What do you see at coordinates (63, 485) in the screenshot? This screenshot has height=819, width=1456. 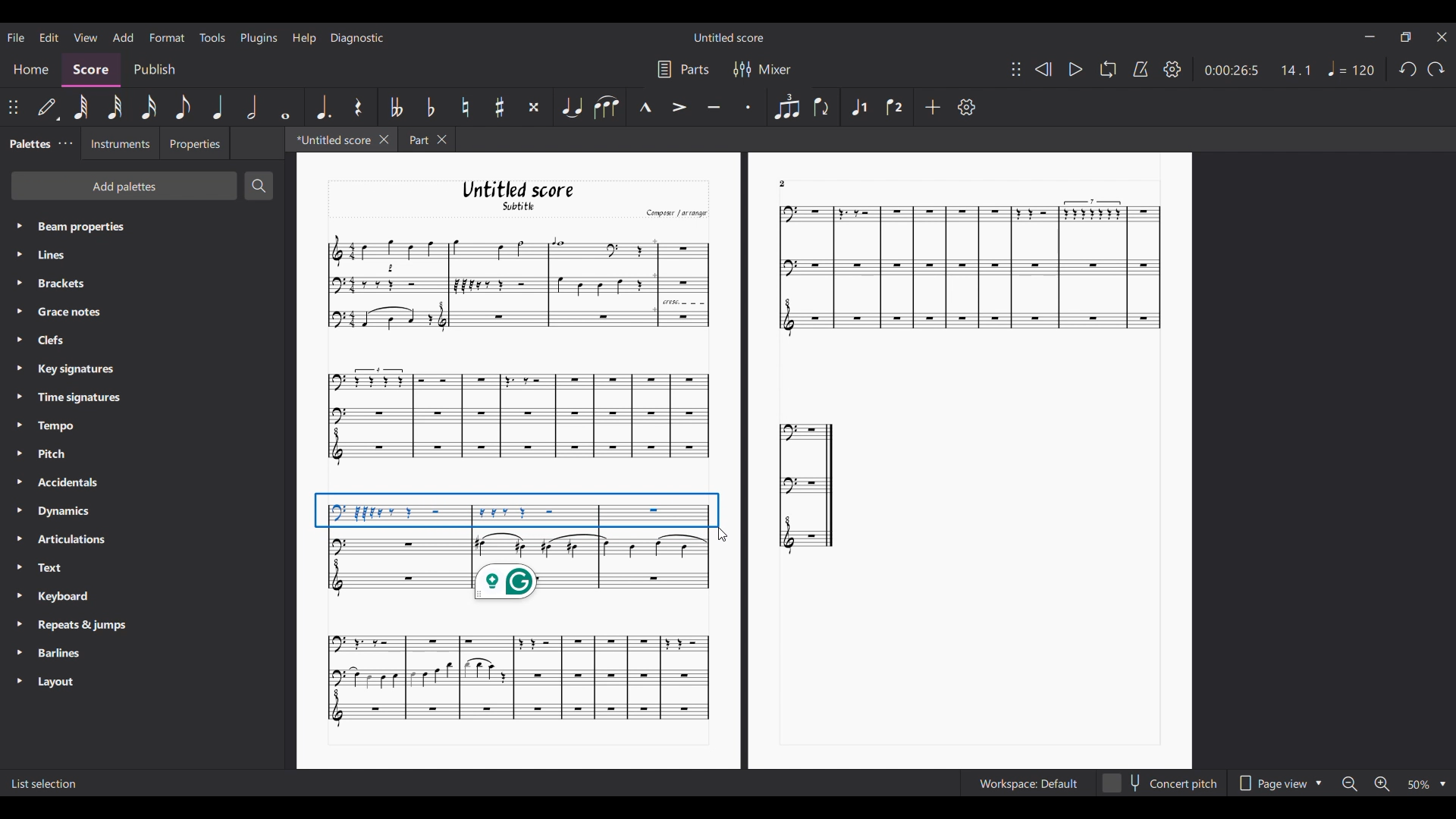 I see `»  Accidentals` at bounding box center [63, 485].